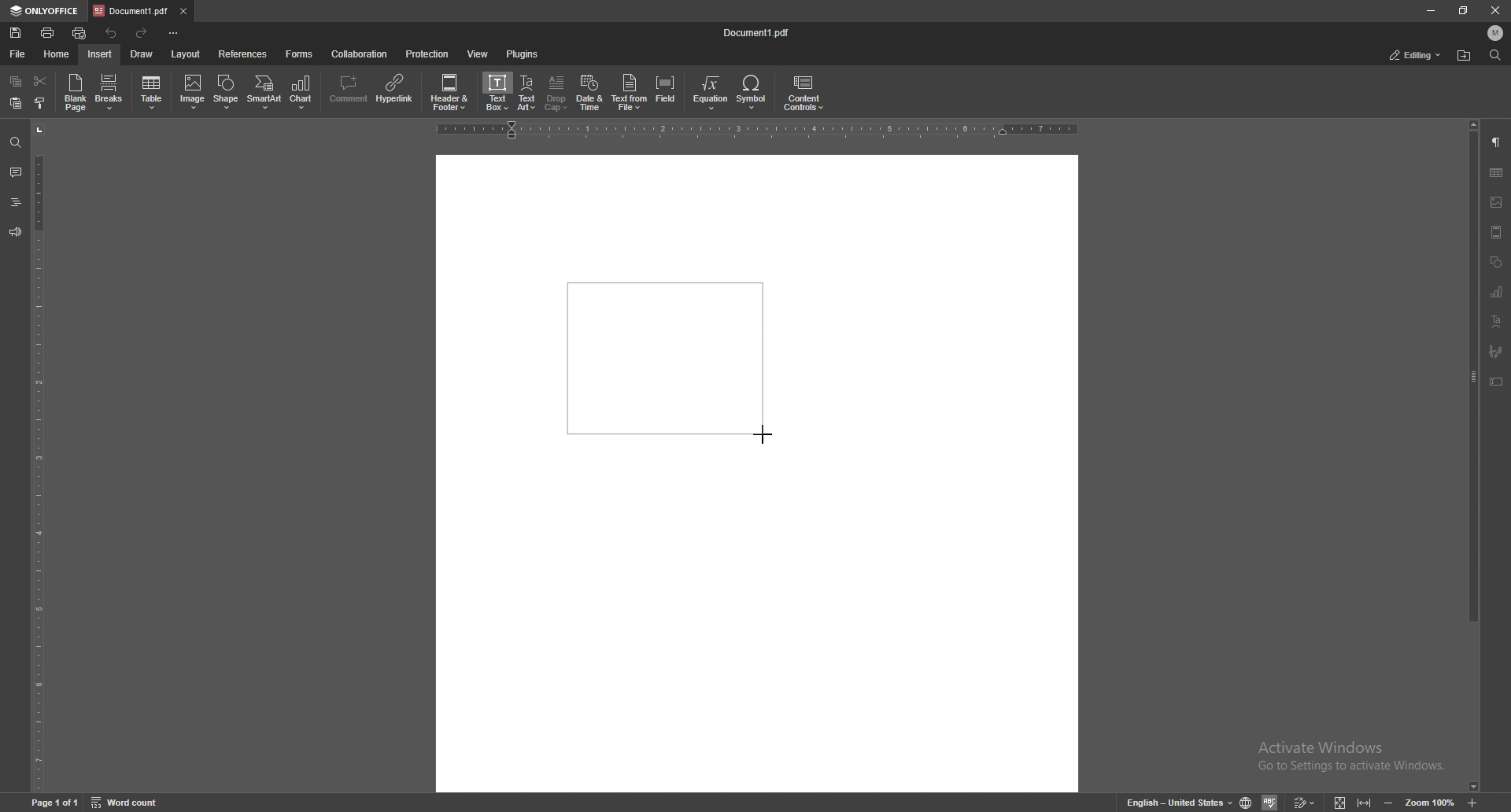 The height and width of the screenshot is (812, 1511). Describe the element at coordinates (243, 54) in the screenshot. I see `references` at that location.